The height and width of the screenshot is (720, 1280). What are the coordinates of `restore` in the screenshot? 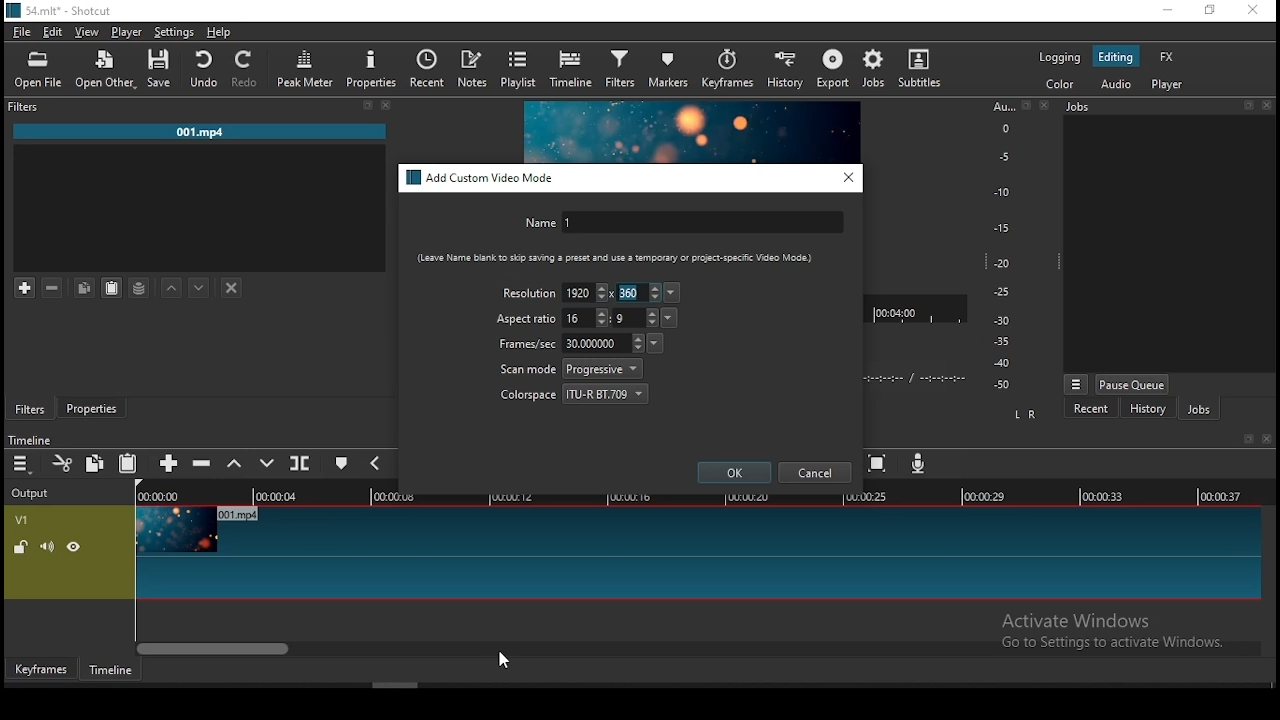 It's located at (1248, 106).